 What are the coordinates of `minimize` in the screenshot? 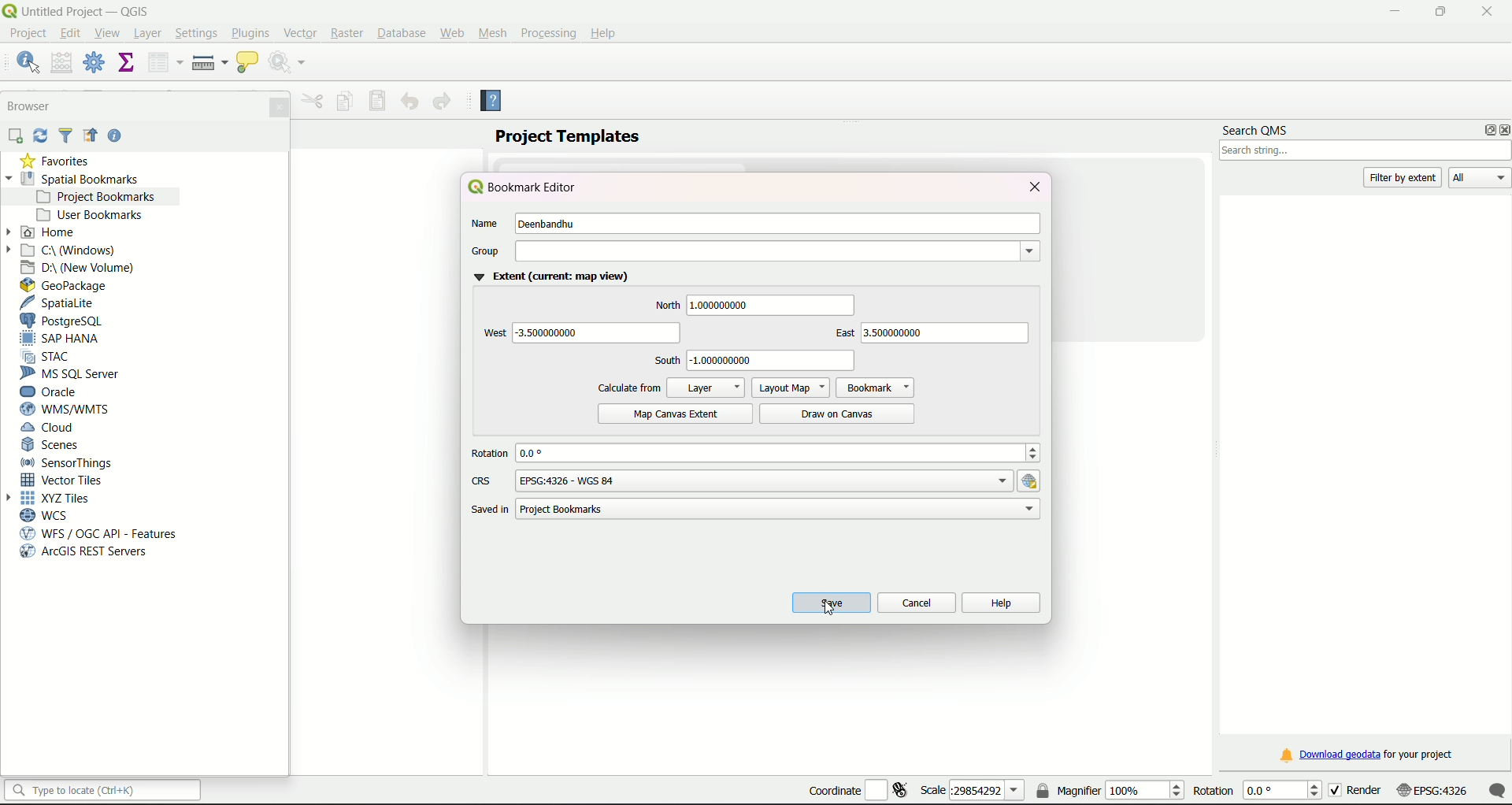 It's located at (1392, 12).